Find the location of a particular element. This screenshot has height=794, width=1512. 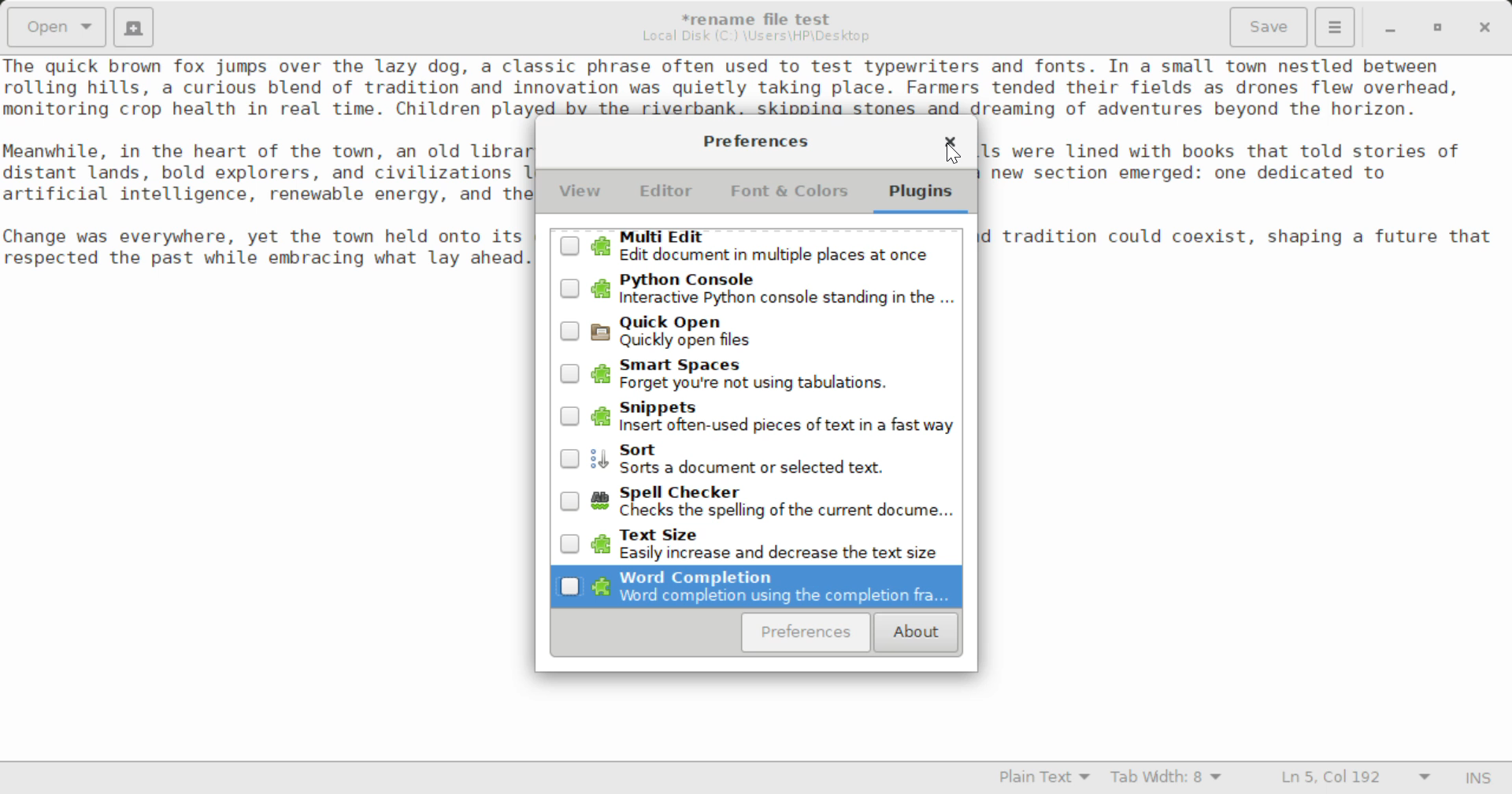

View Tab is located at coordinates (580, 195).